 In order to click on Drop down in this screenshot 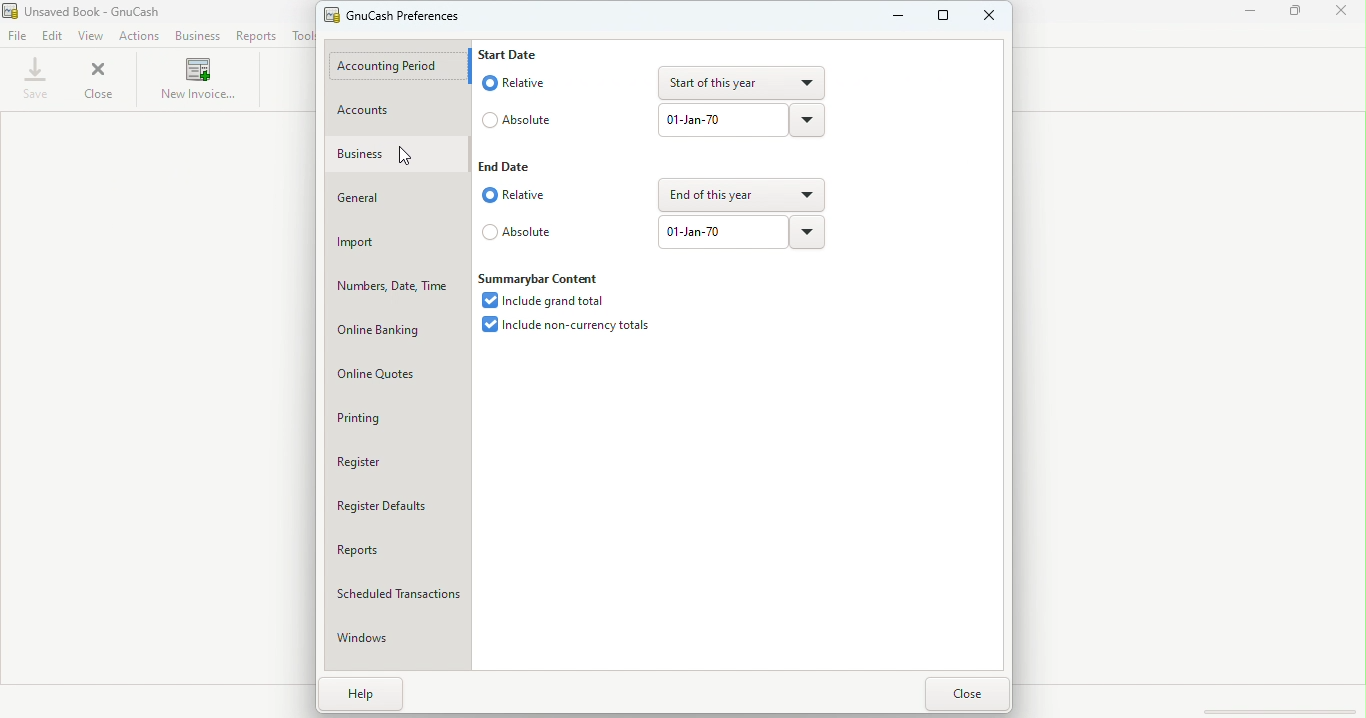, I will do `click(730, 82)`.